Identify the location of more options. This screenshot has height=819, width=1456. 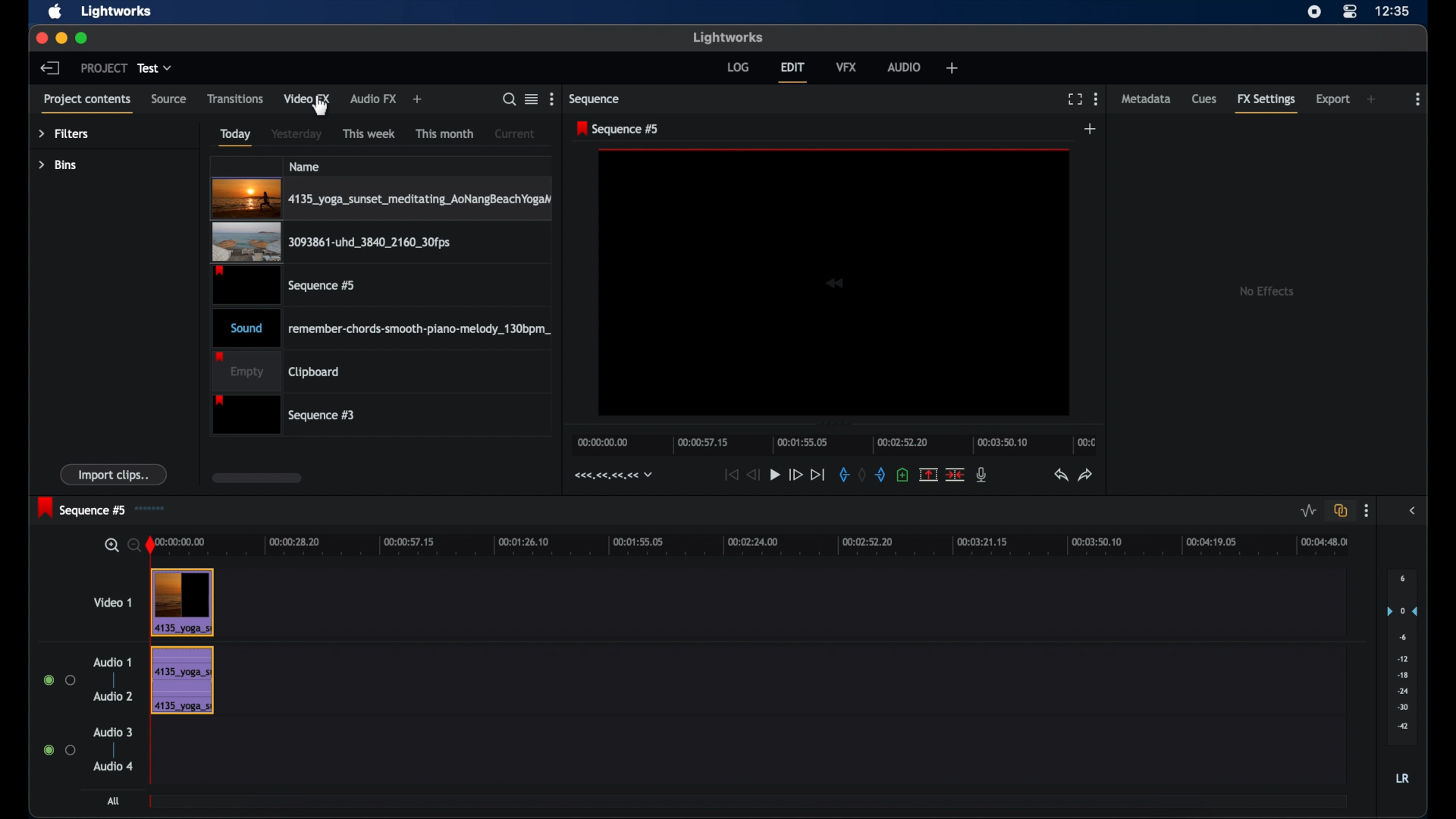
(1419, 99).